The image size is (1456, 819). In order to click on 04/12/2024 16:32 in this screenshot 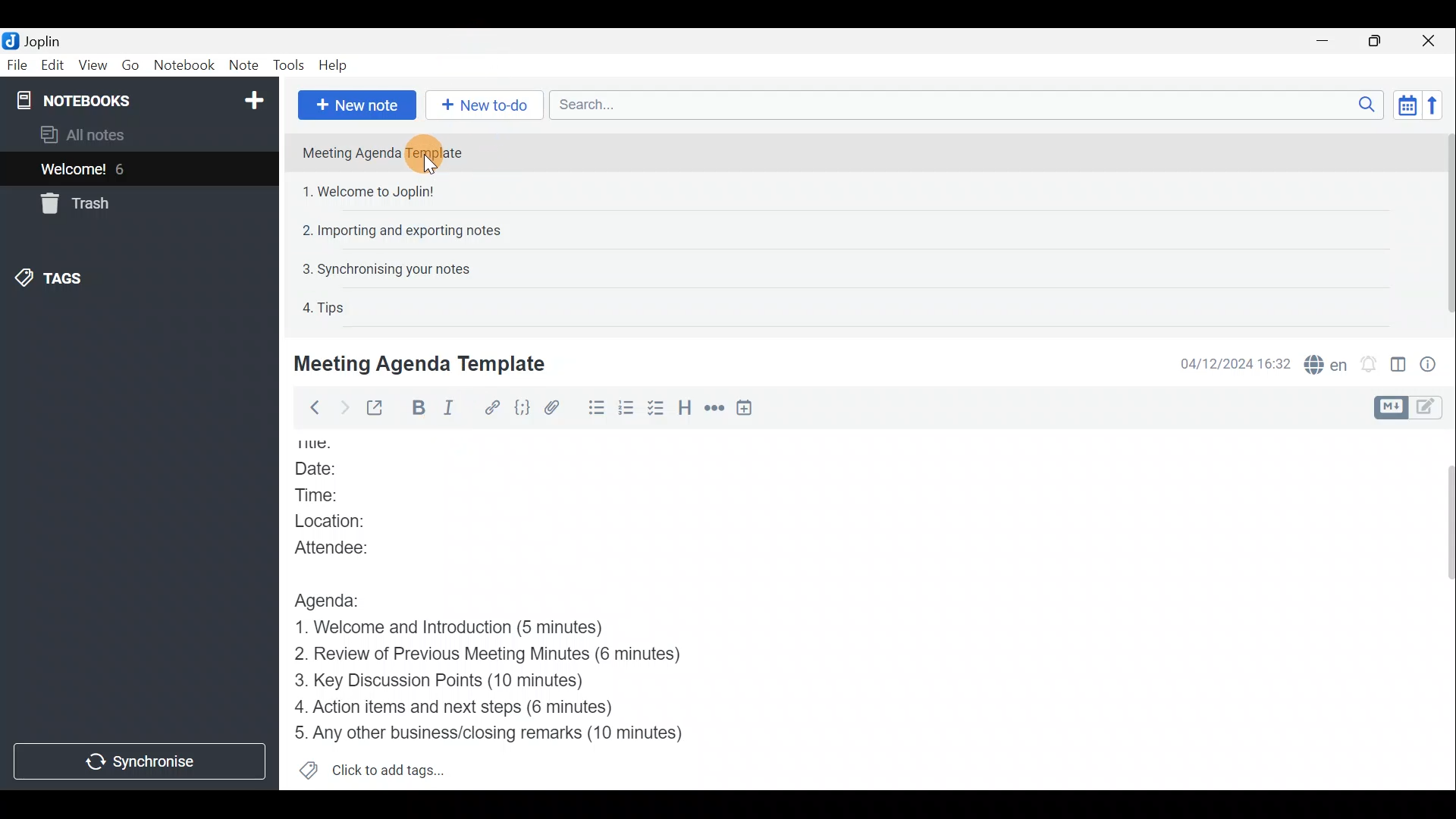, I will do `click(1228, 362)`.